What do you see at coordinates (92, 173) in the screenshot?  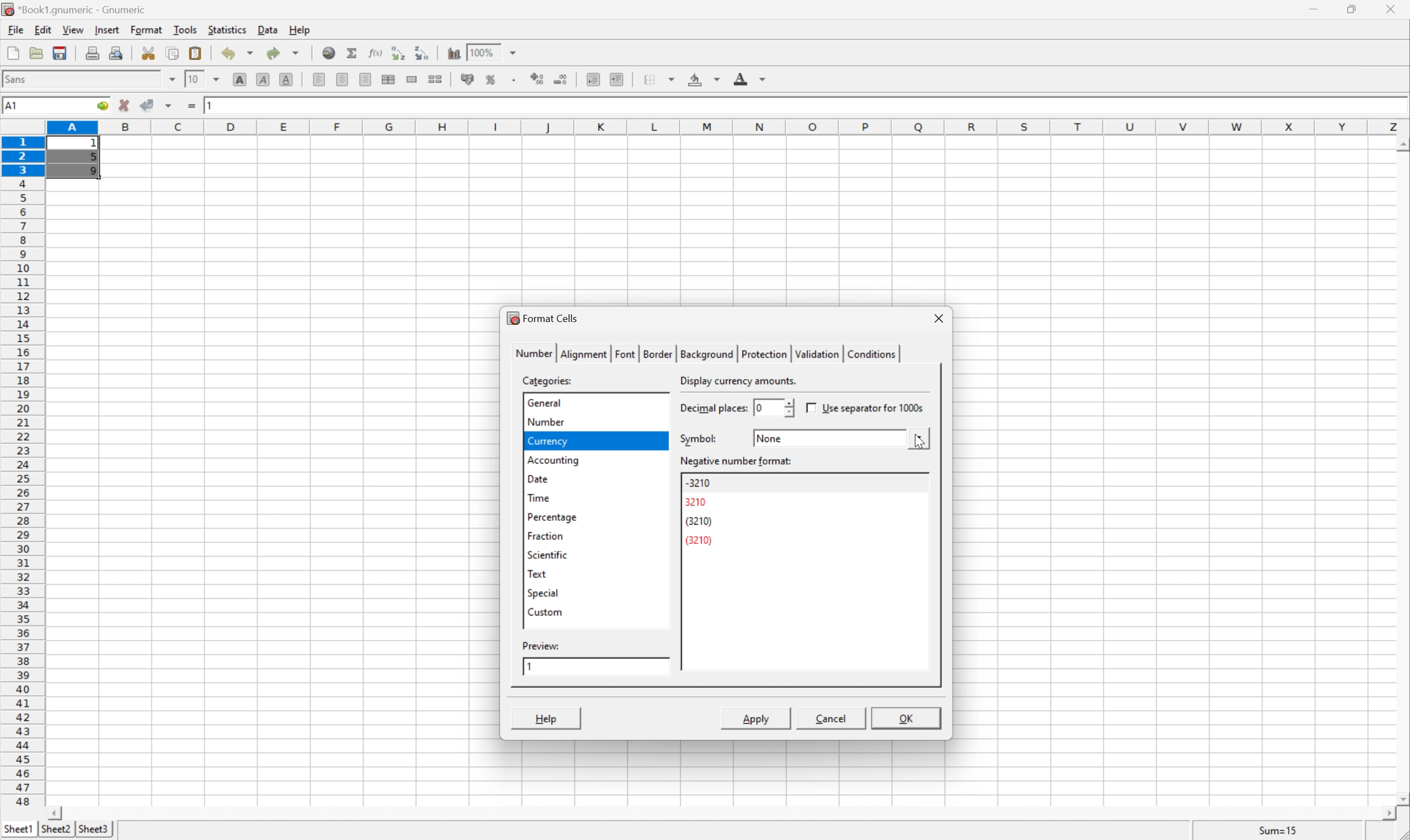 I see `9` at bounding box center [92, 173].